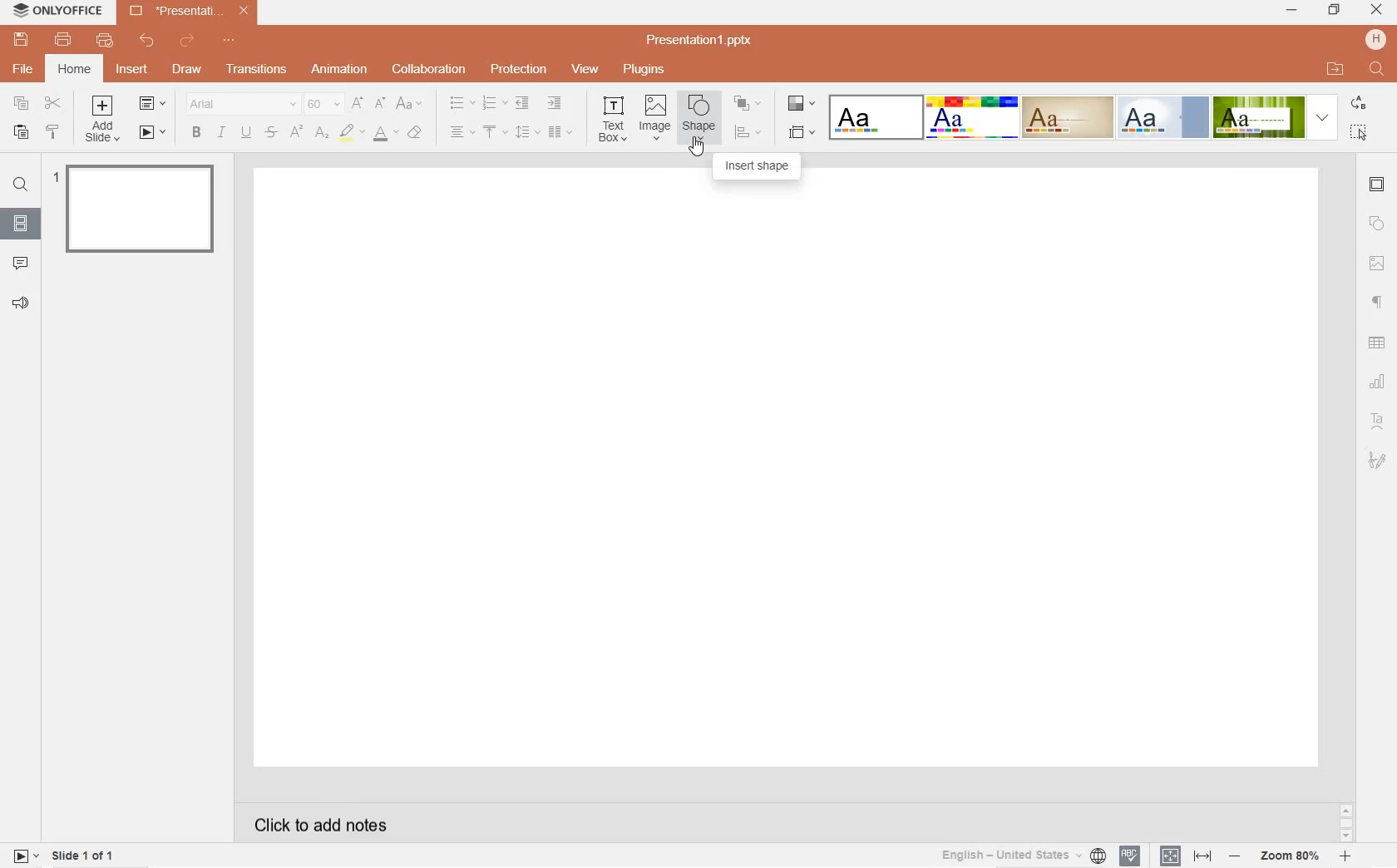 This screenshot has height=868, width=1397. I want to click on customize quick access toolbar, so click(233, 42).